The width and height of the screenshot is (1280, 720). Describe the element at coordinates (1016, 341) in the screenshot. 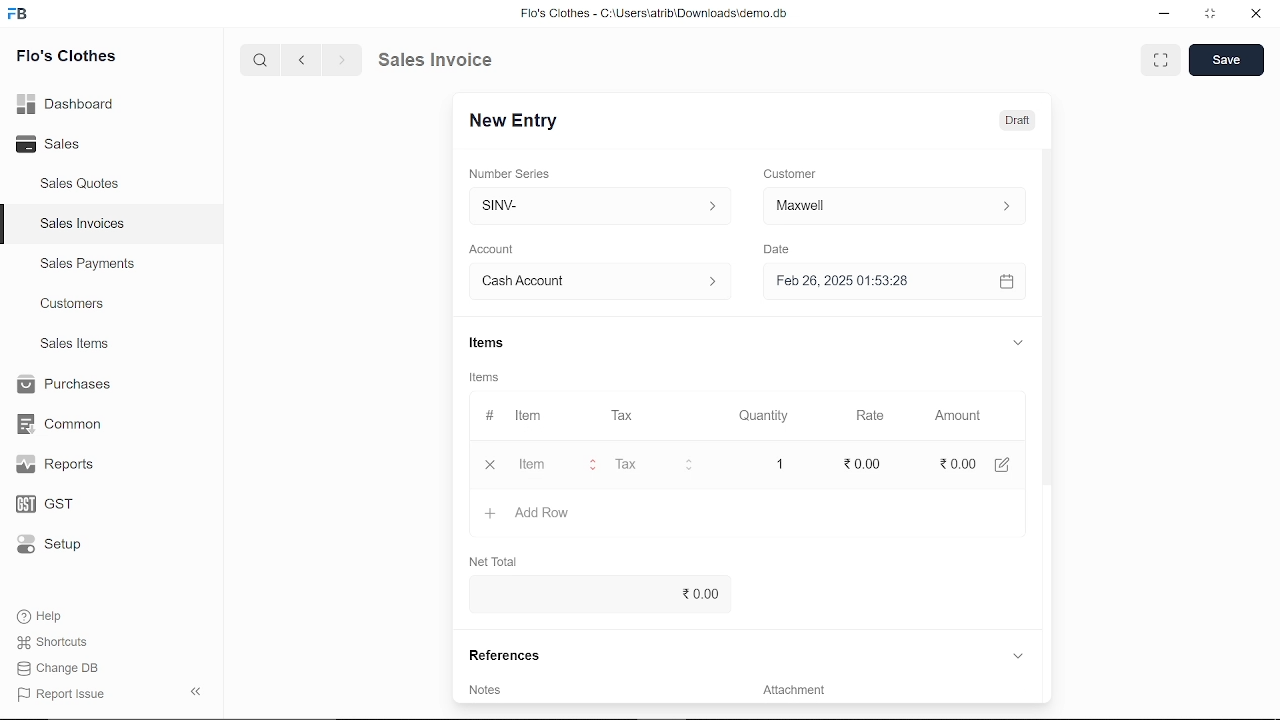

I see `expand` at that location.